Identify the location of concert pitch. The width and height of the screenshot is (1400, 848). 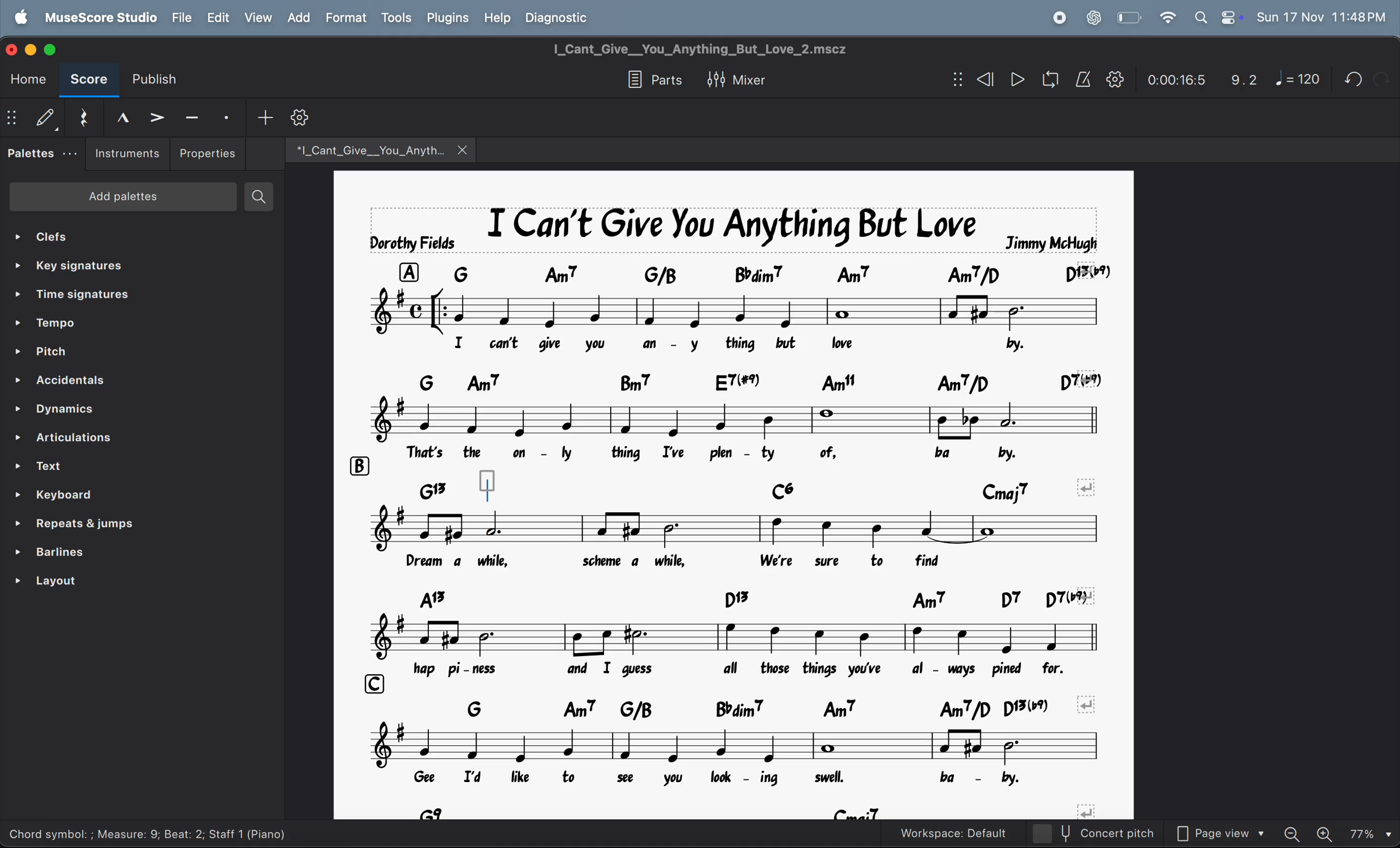
(1090, 833).